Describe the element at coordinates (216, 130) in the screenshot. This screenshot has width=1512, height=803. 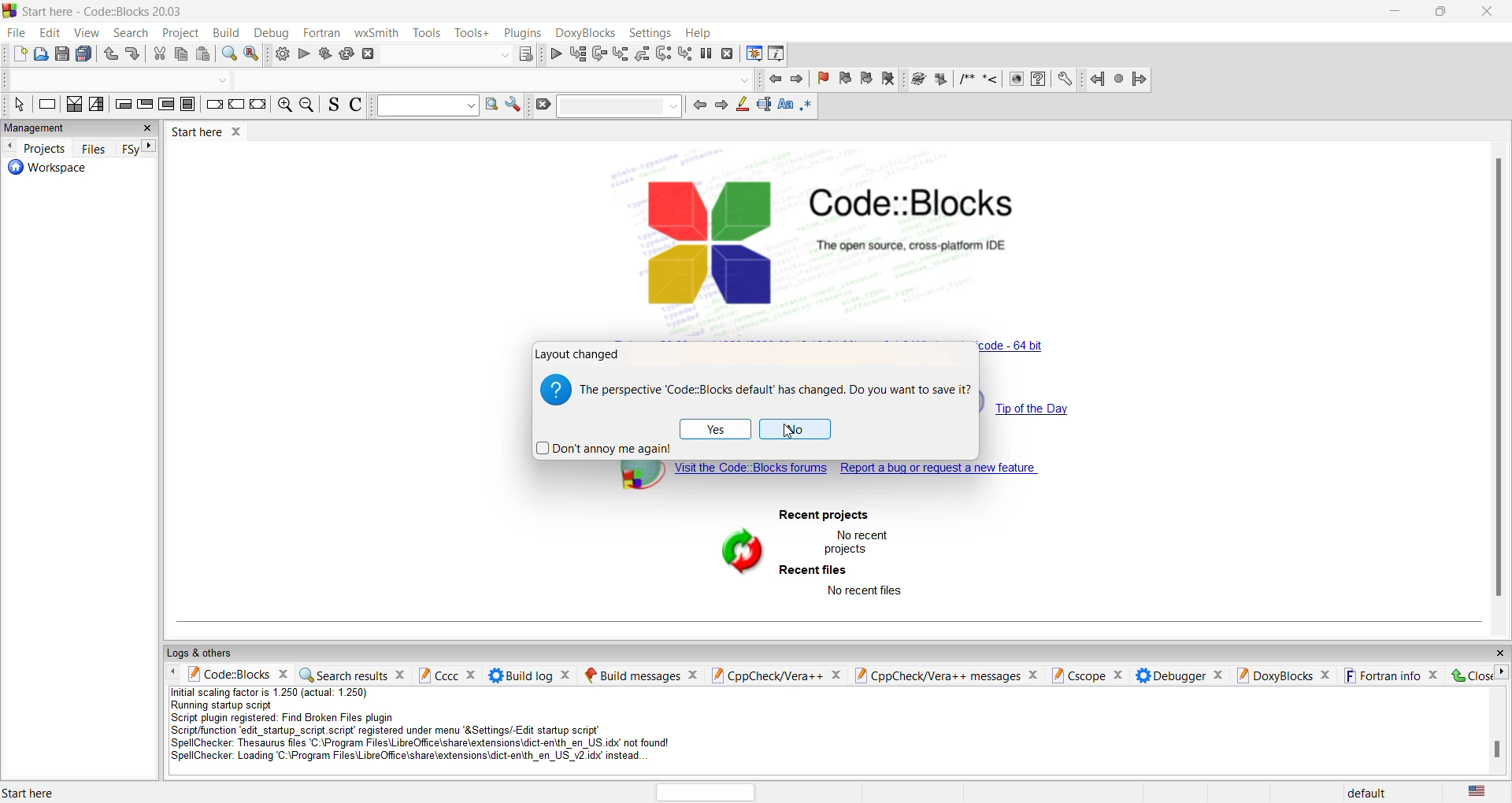
I see `start here window` at that location.